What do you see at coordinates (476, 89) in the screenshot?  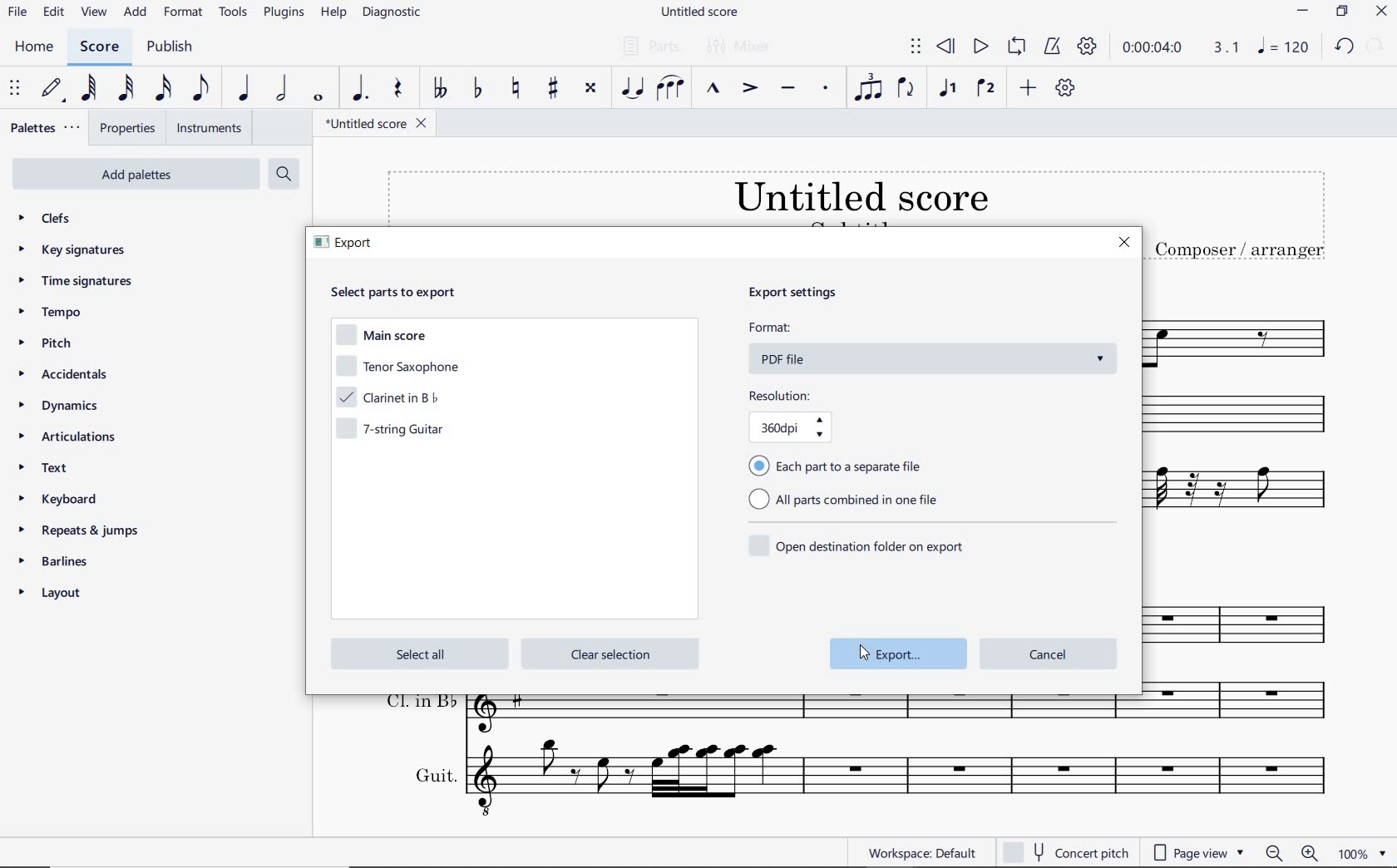 I see `TOGGLE FLAT` at bounding box center [476, 89].